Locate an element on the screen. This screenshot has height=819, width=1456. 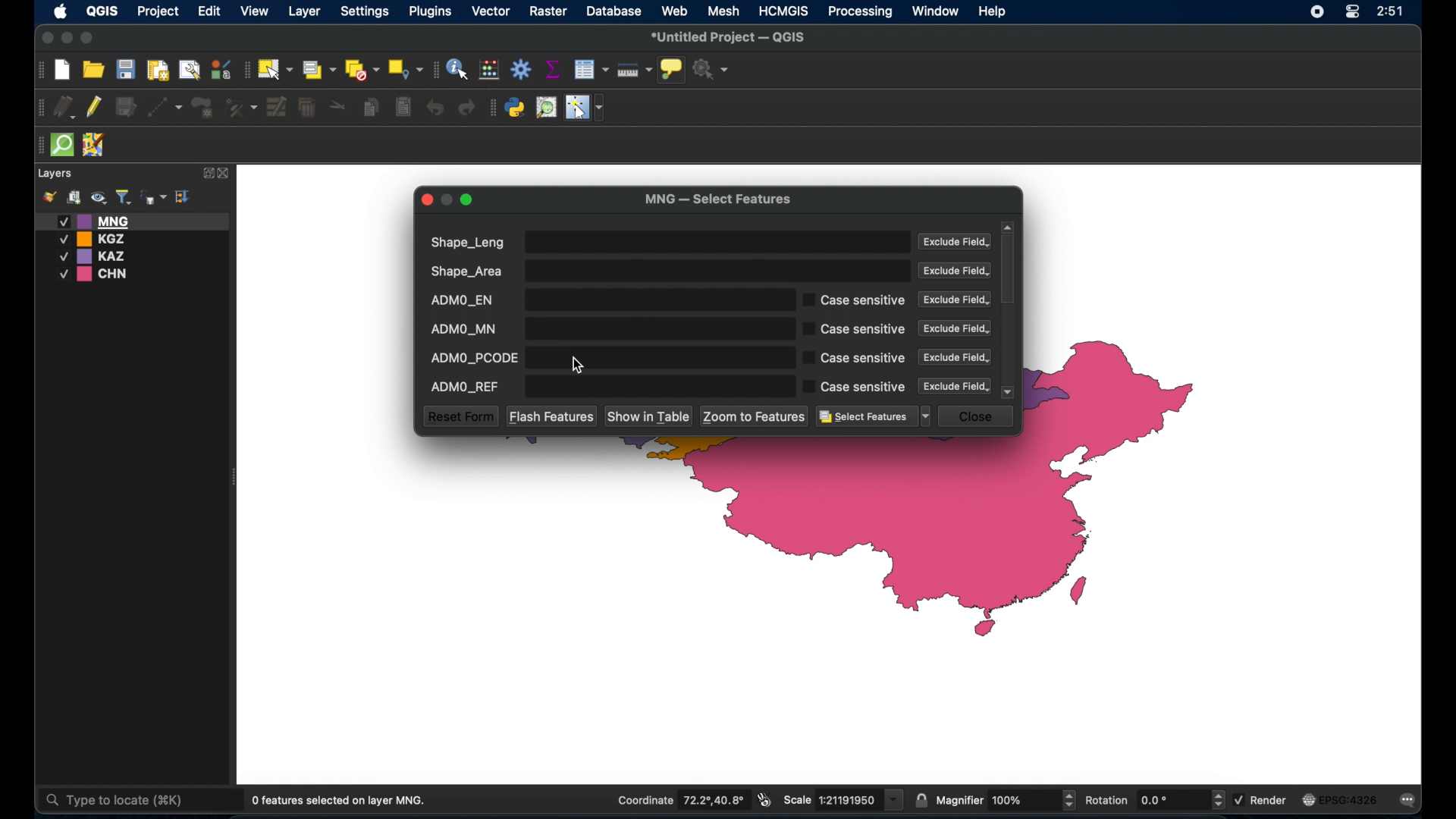
quick osm is located at coordinates (63, 146).